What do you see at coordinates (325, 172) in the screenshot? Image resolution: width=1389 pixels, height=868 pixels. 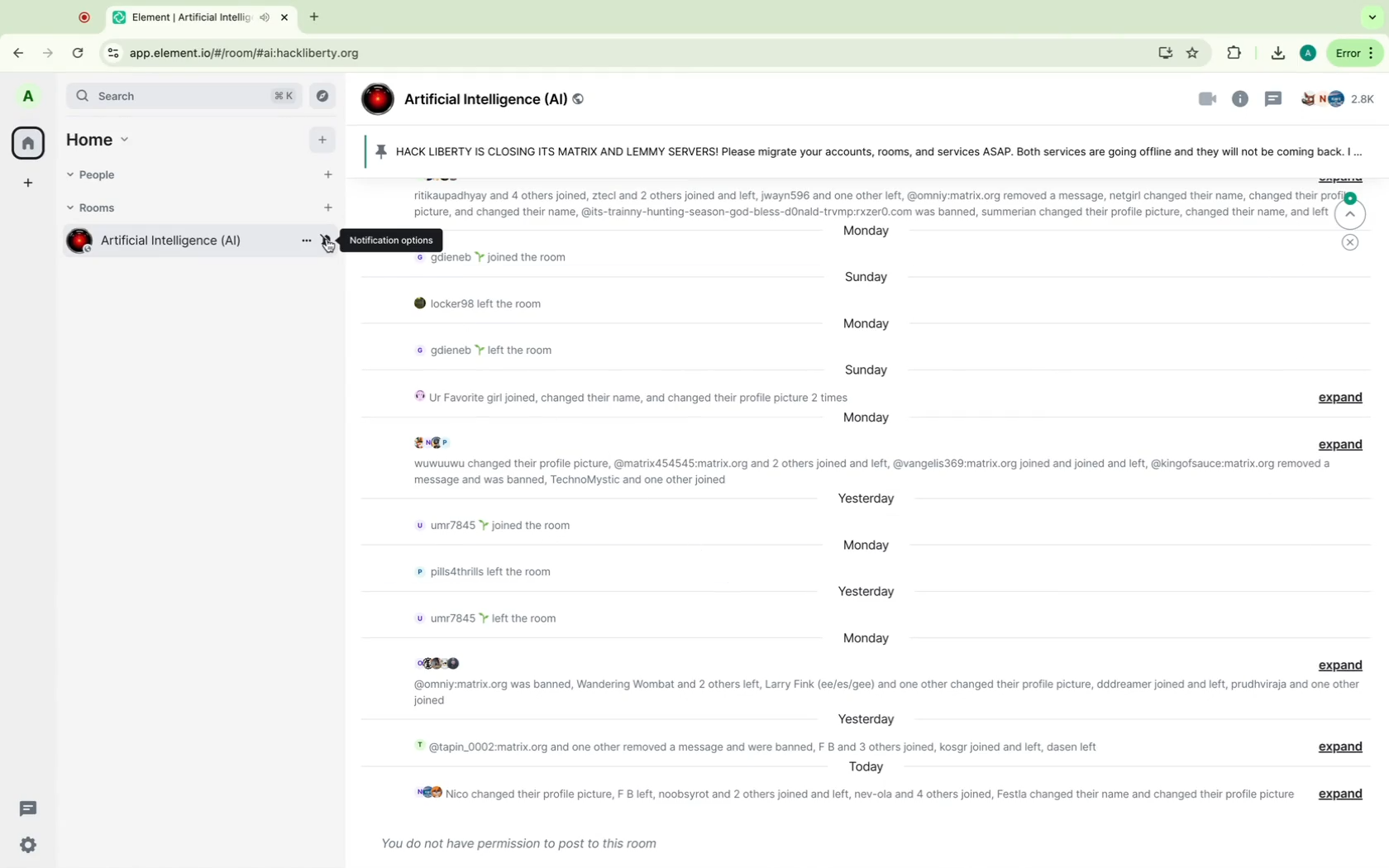 I see `start chat` at bounding box center [325, 172].